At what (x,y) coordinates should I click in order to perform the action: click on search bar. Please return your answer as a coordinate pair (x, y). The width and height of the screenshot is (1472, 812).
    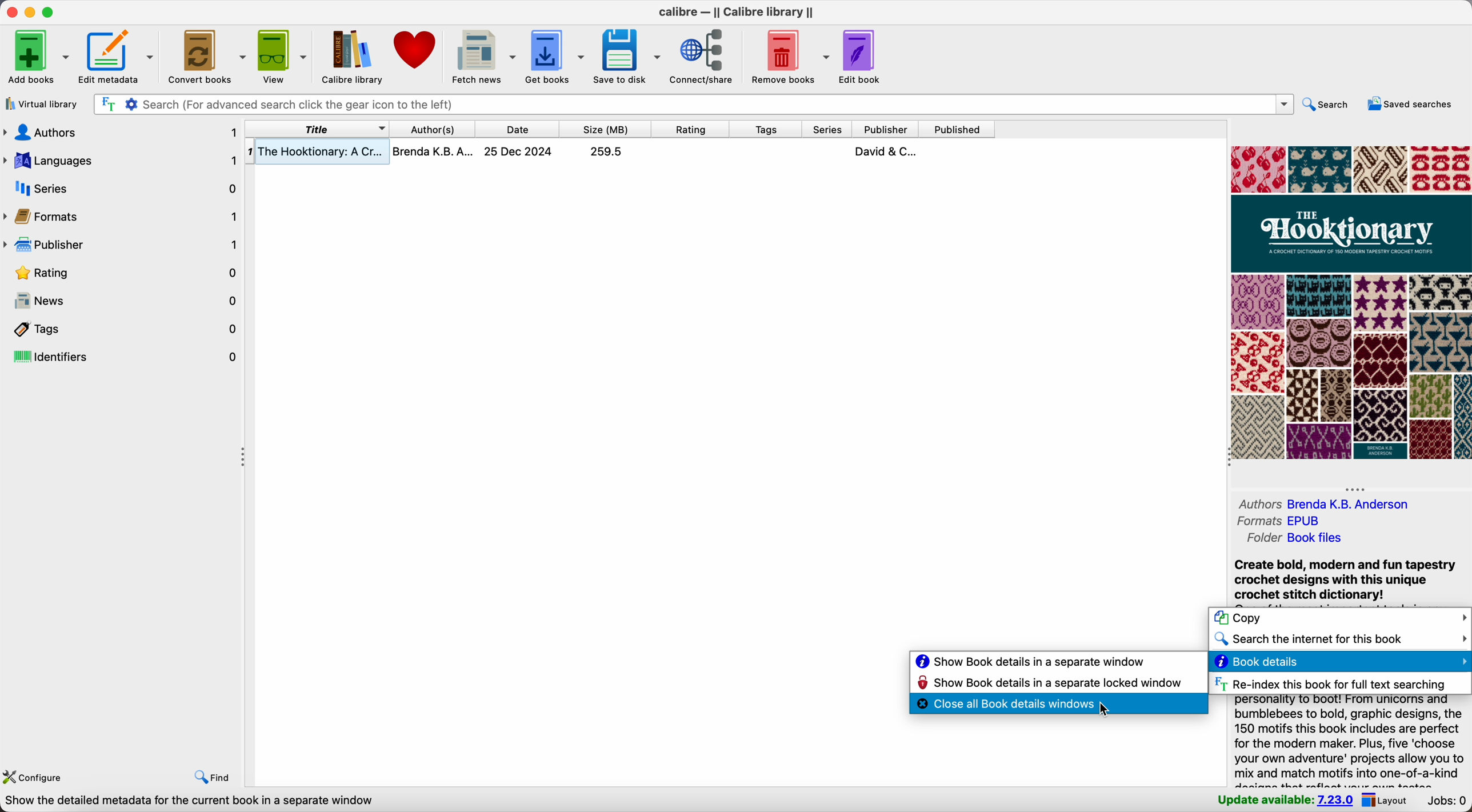
    Looking at the image, I should click on (692, 105).